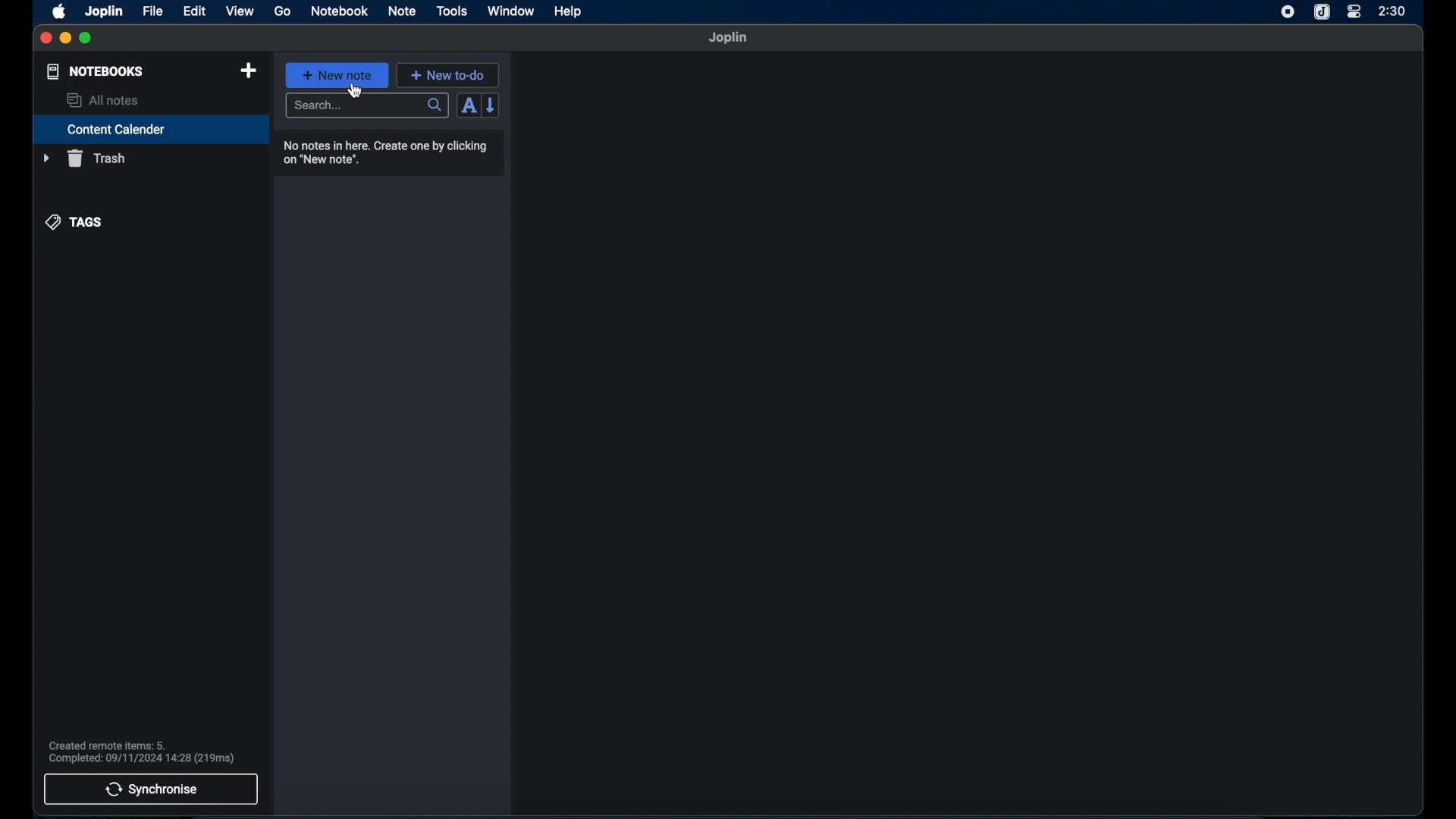 The width and height of the screenshot is (1456, 819). What do you see at coordinates (570, 12) in the screenshot?
I see `help` at bounding box center [570, 12].